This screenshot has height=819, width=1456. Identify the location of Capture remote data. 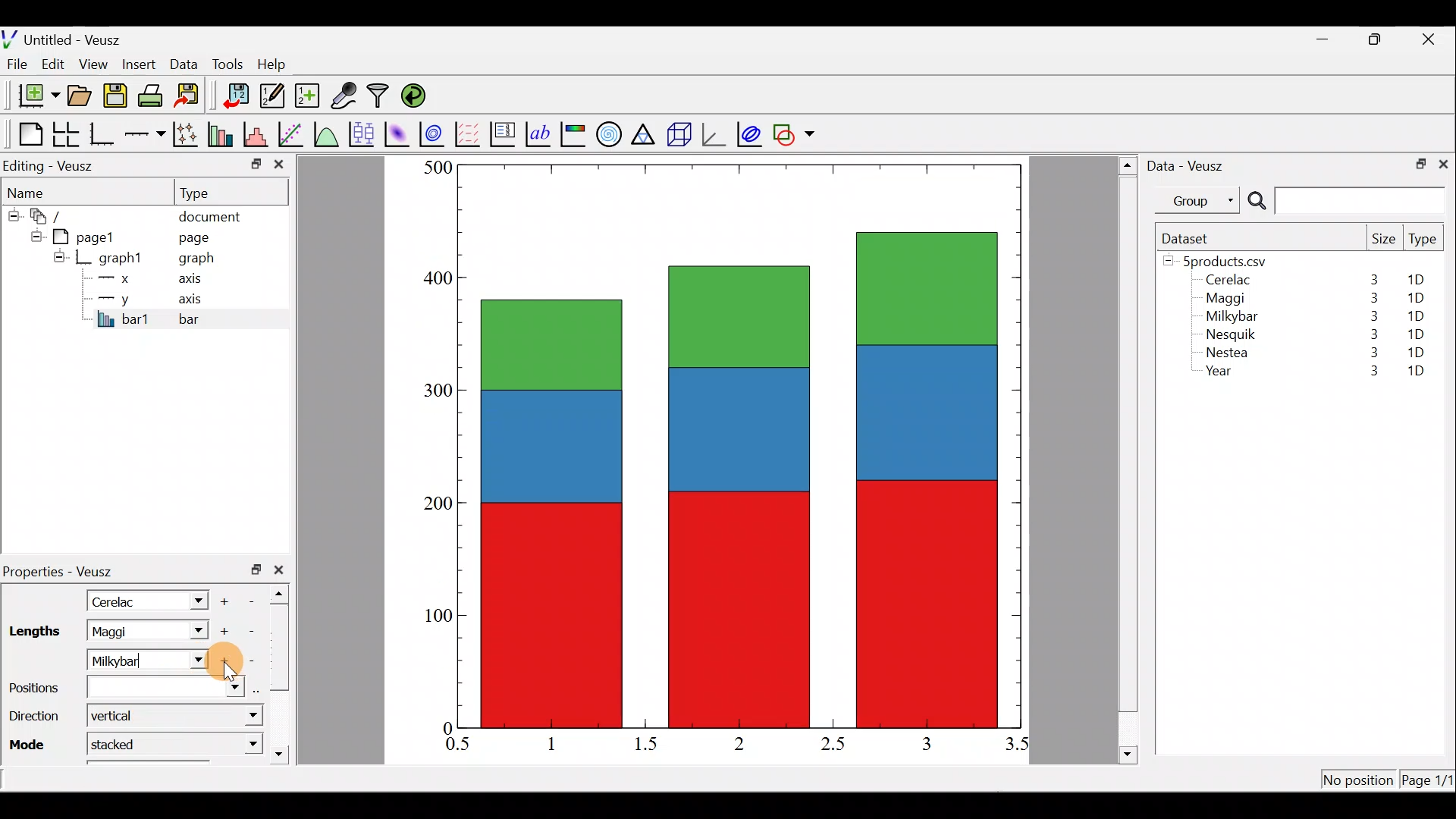
(345, 96).